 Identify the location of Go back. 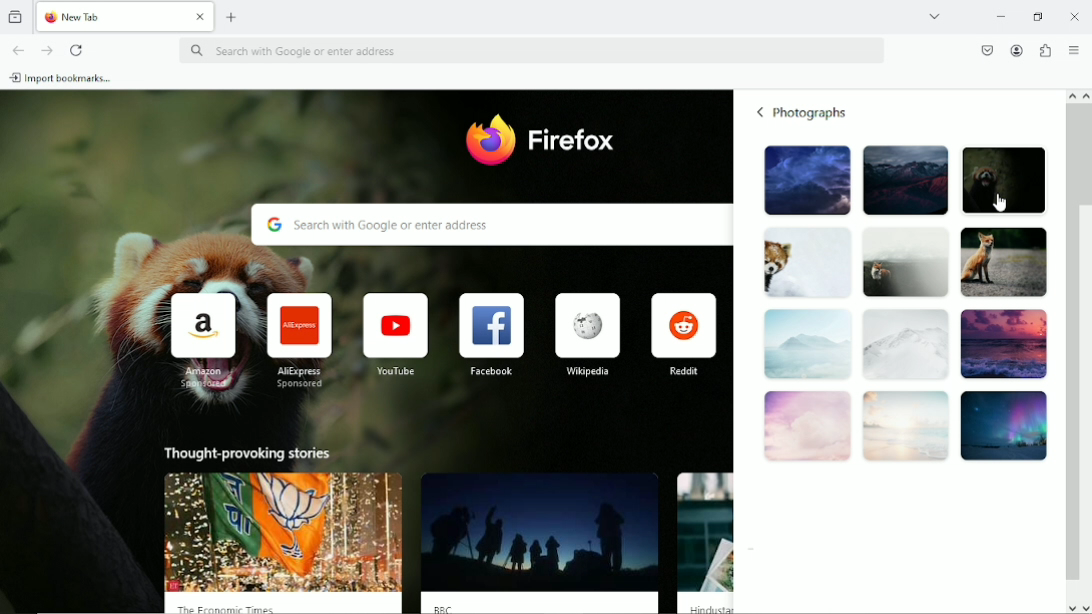
(17, 49).